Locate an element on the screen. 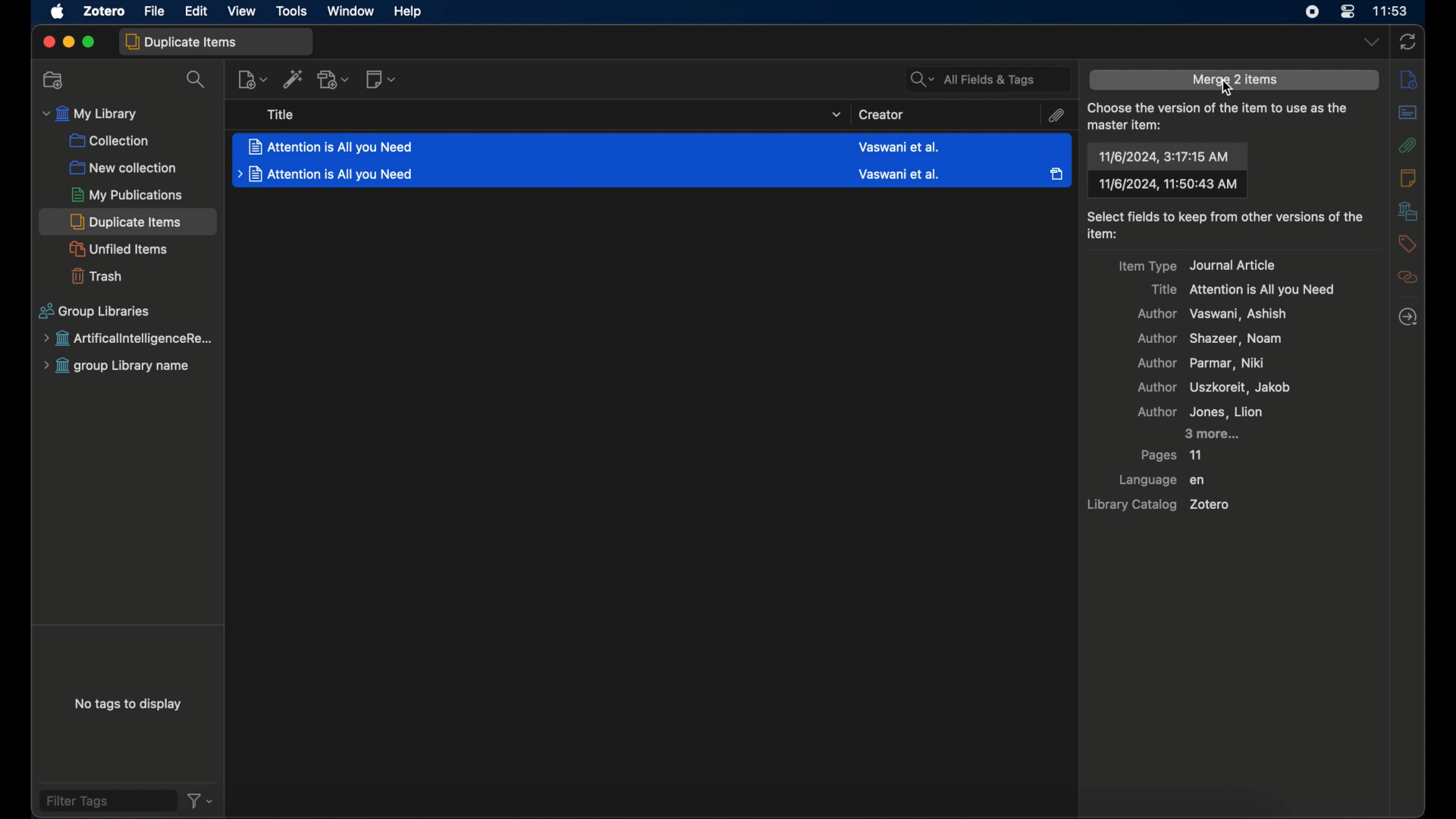 The image size is (1456, 819). Creator is located at coordinates (900, 147).